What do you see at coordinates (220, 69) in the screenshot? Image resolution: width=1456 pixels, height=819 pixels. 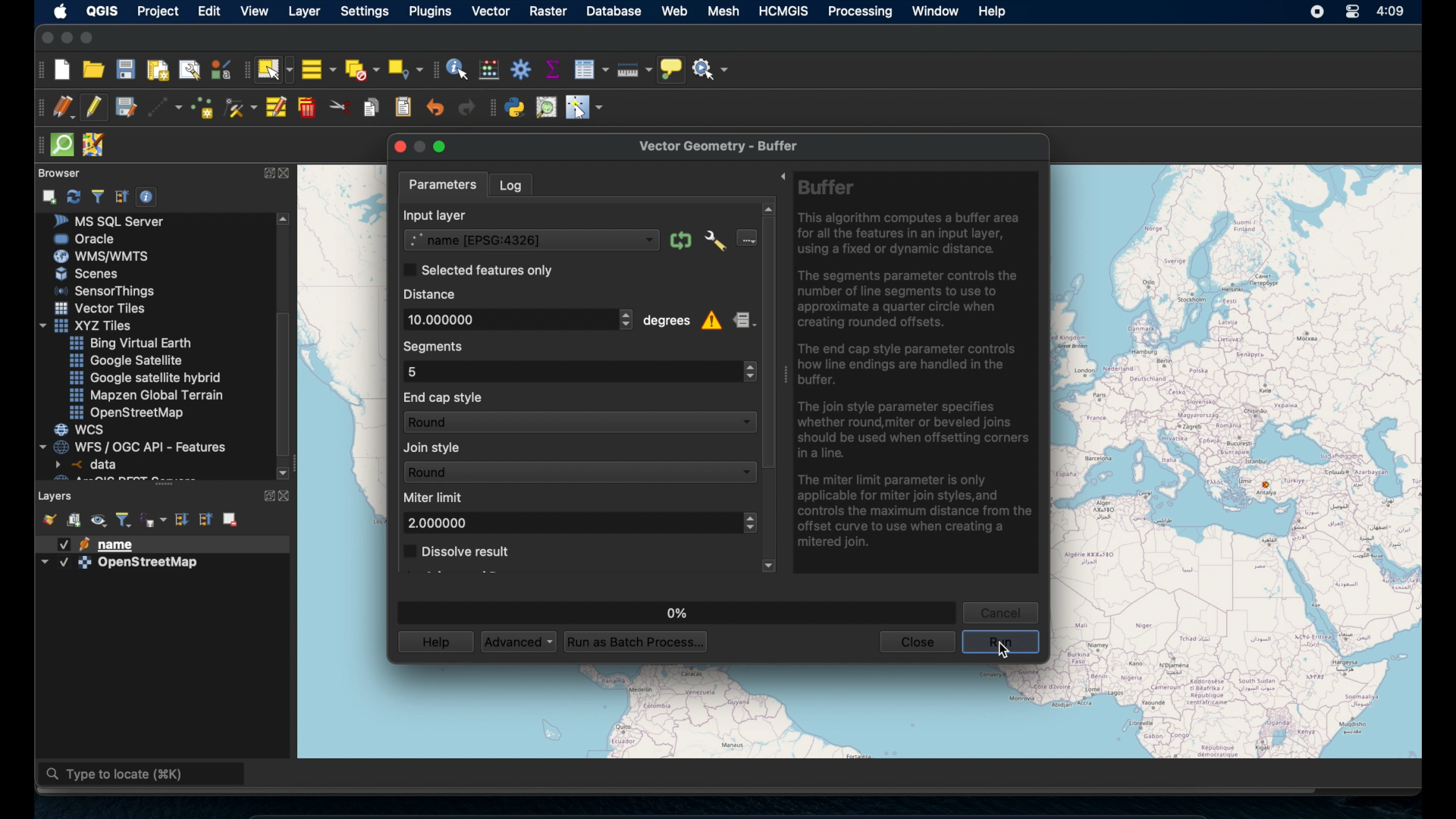 I see `style manager` at bounding box center [220, 69].